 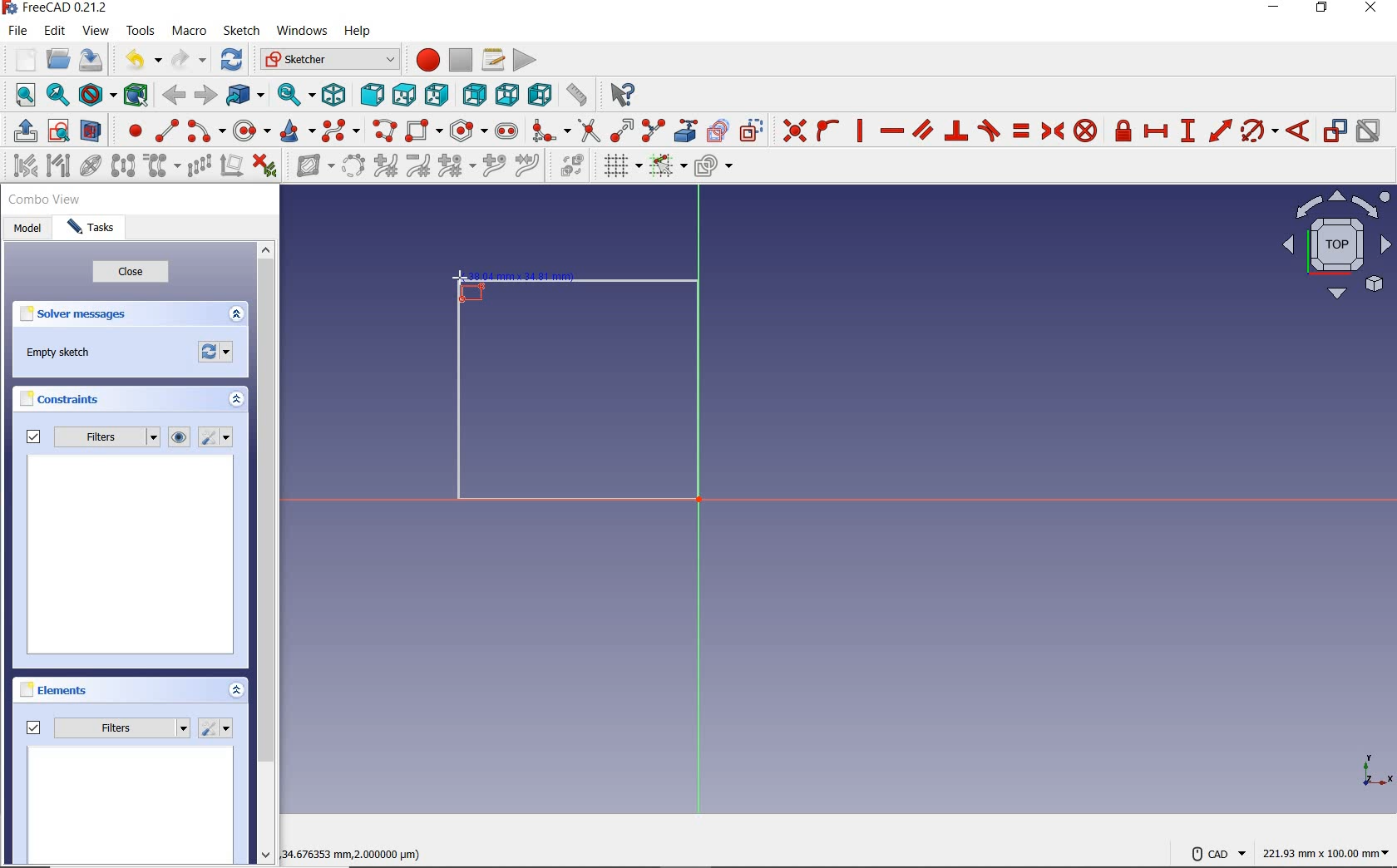 I want to click on modify knot multiplicity, so click(x=455, y=167).